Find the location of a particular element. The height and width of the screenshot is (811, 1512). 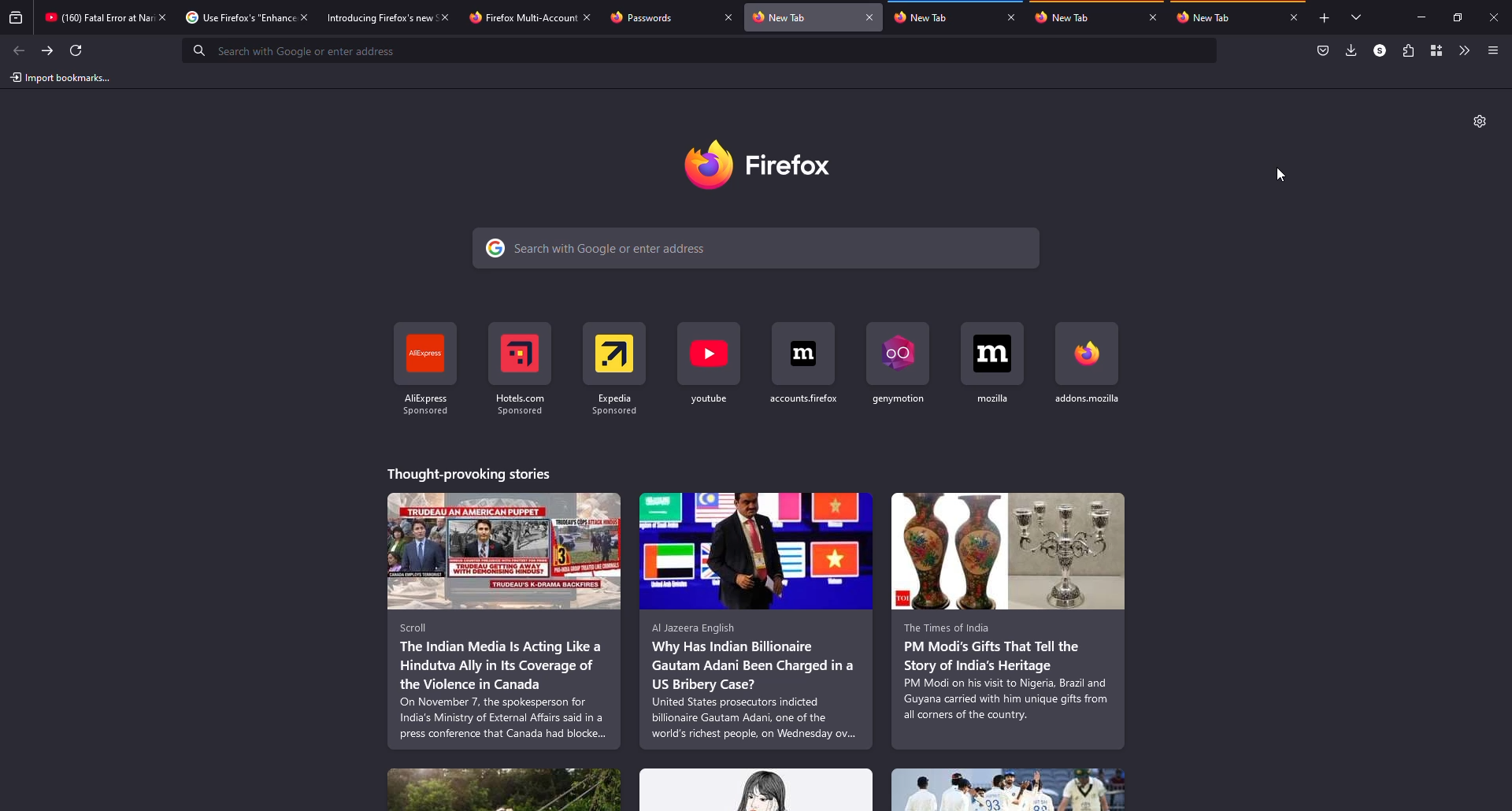

tab is located at coordinates (377, 17).